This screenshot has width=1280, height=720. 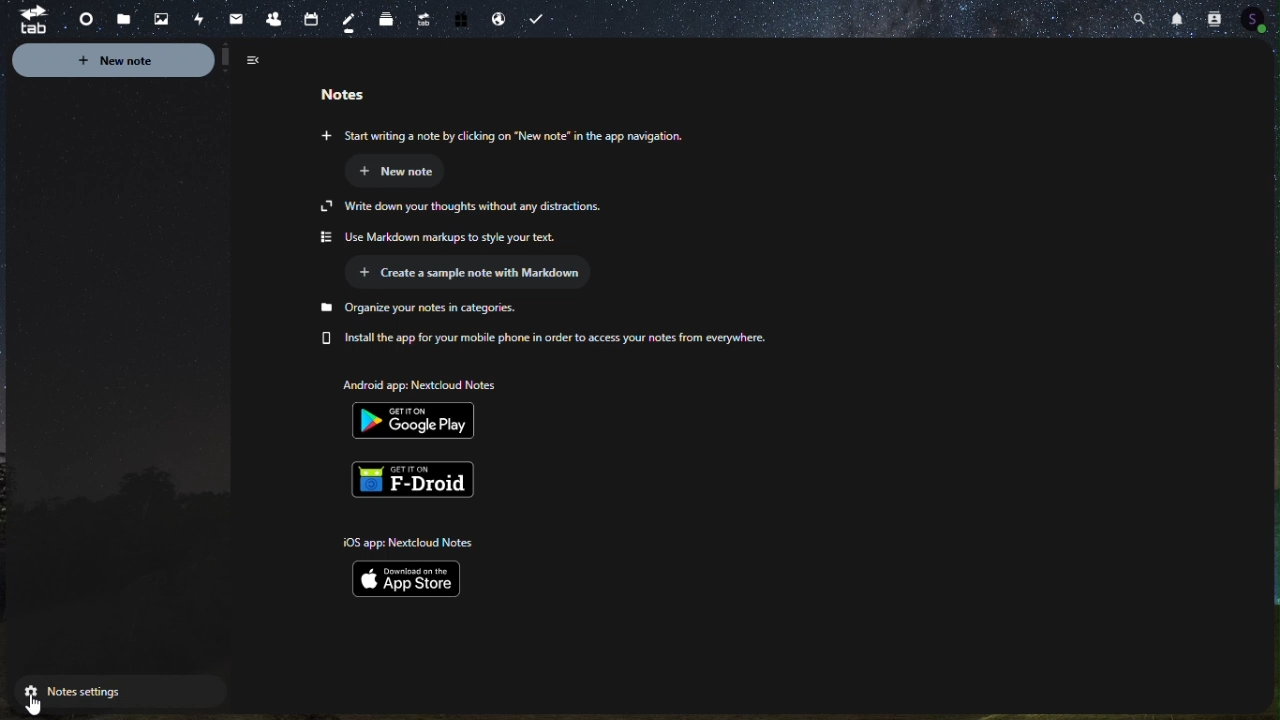 I want to click on Task, so click(x=532, y=20).